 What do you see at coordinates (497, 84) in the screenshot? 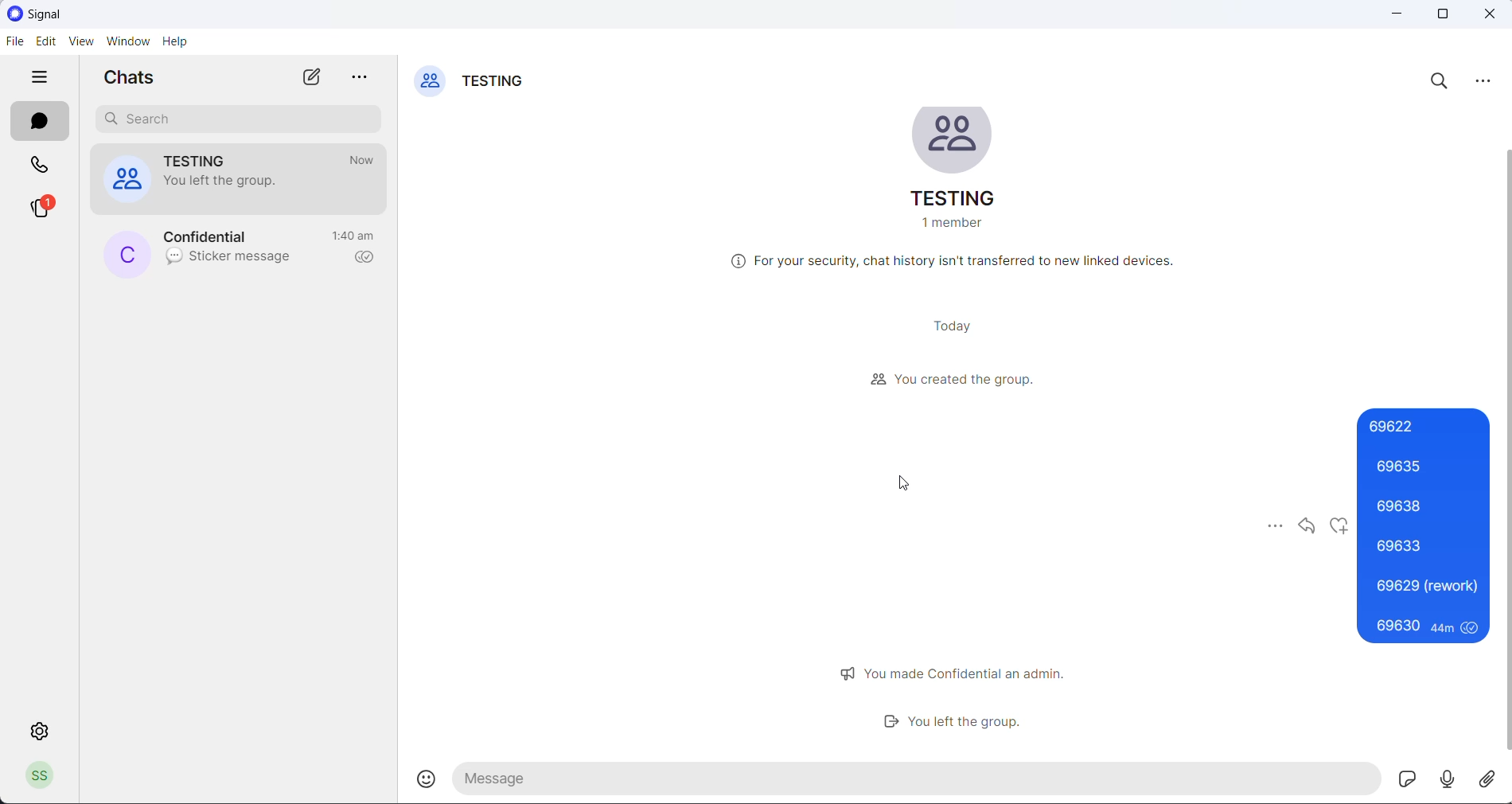
I see `group name` at bounding box center [497, 84].